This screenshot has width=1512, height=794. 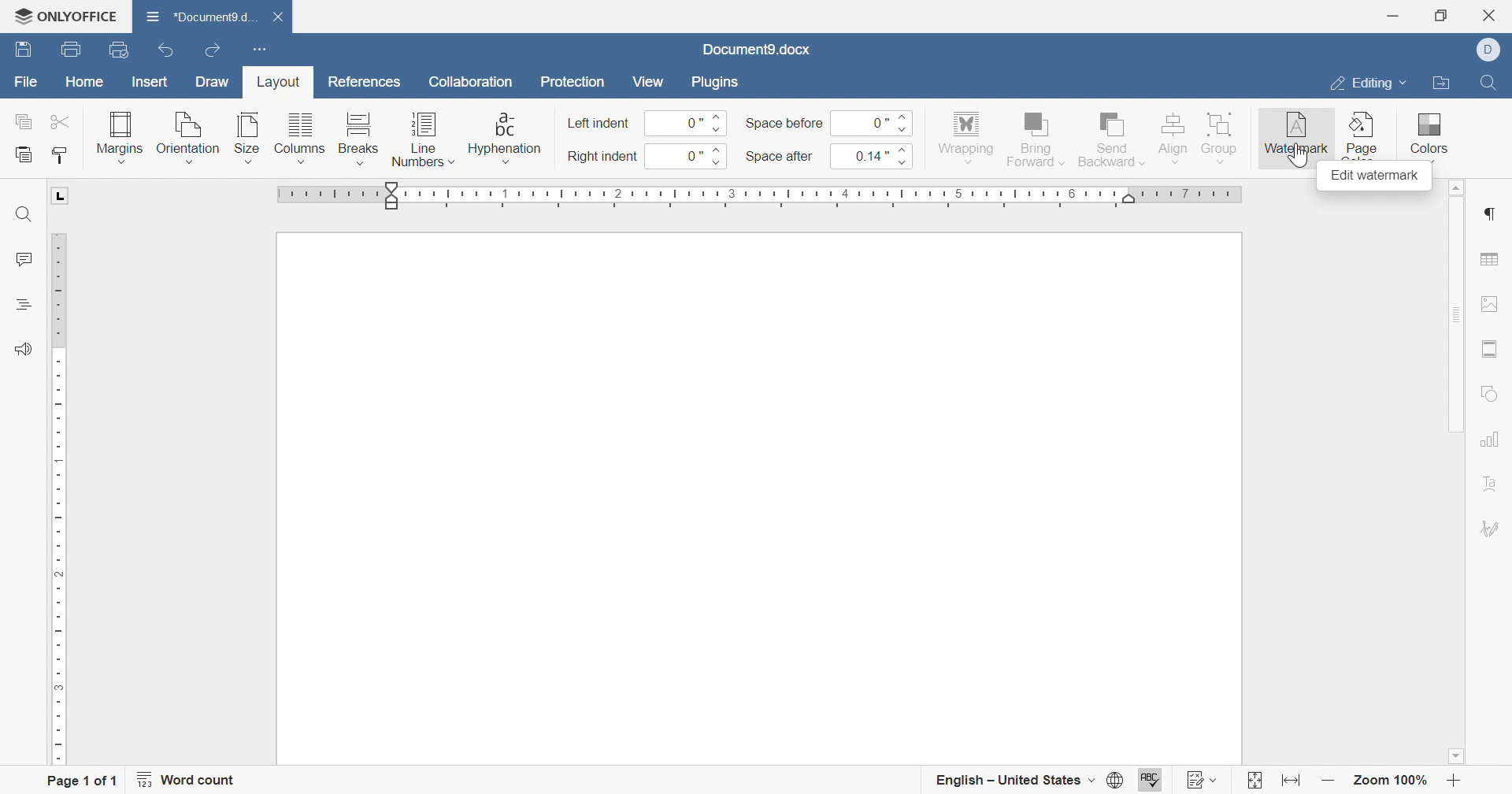 I want to click on zoom out, so click(x=1329, y=781).